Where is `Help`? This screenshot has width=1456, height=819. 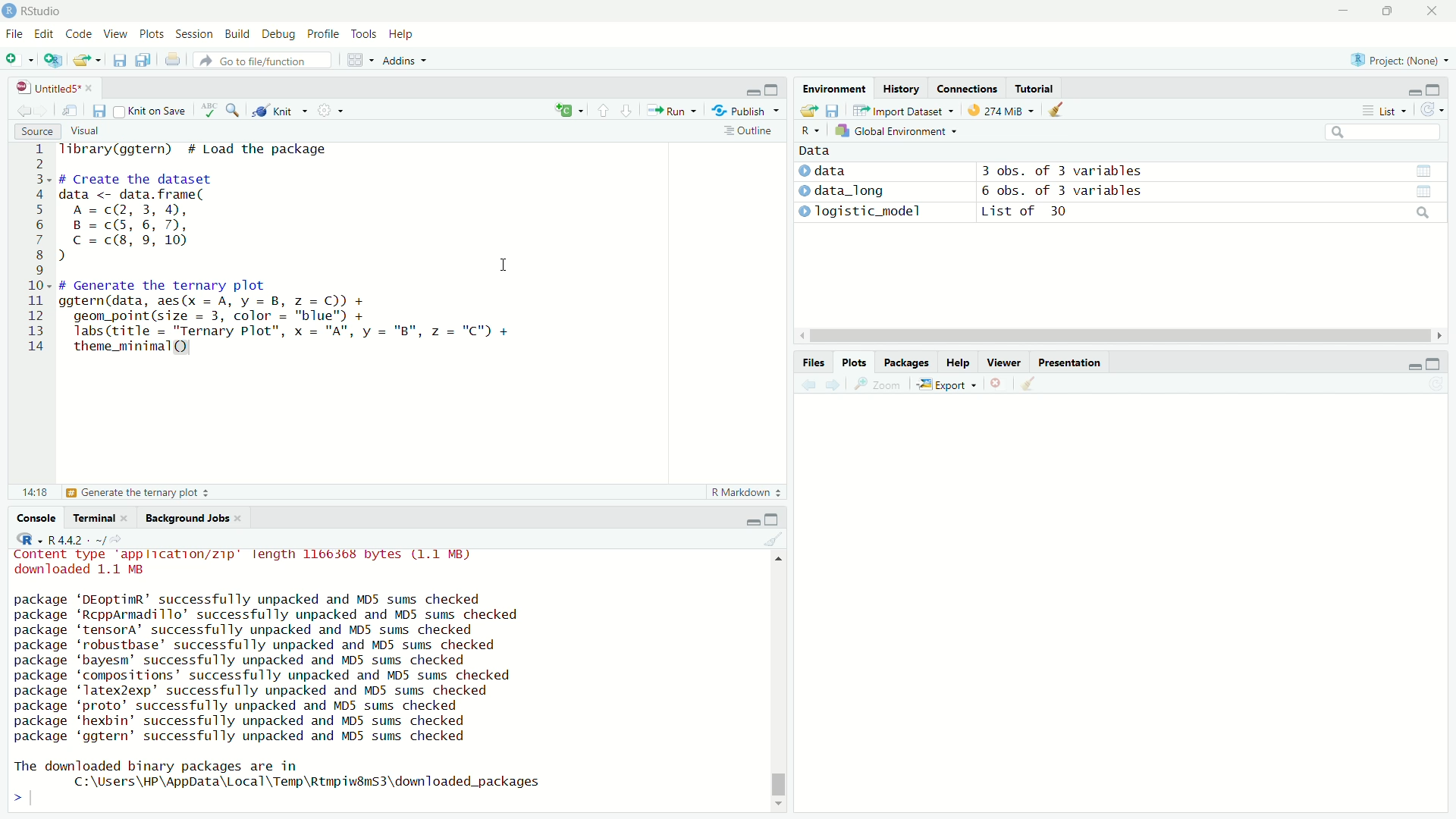 Help is located at coordinates (400, 35).